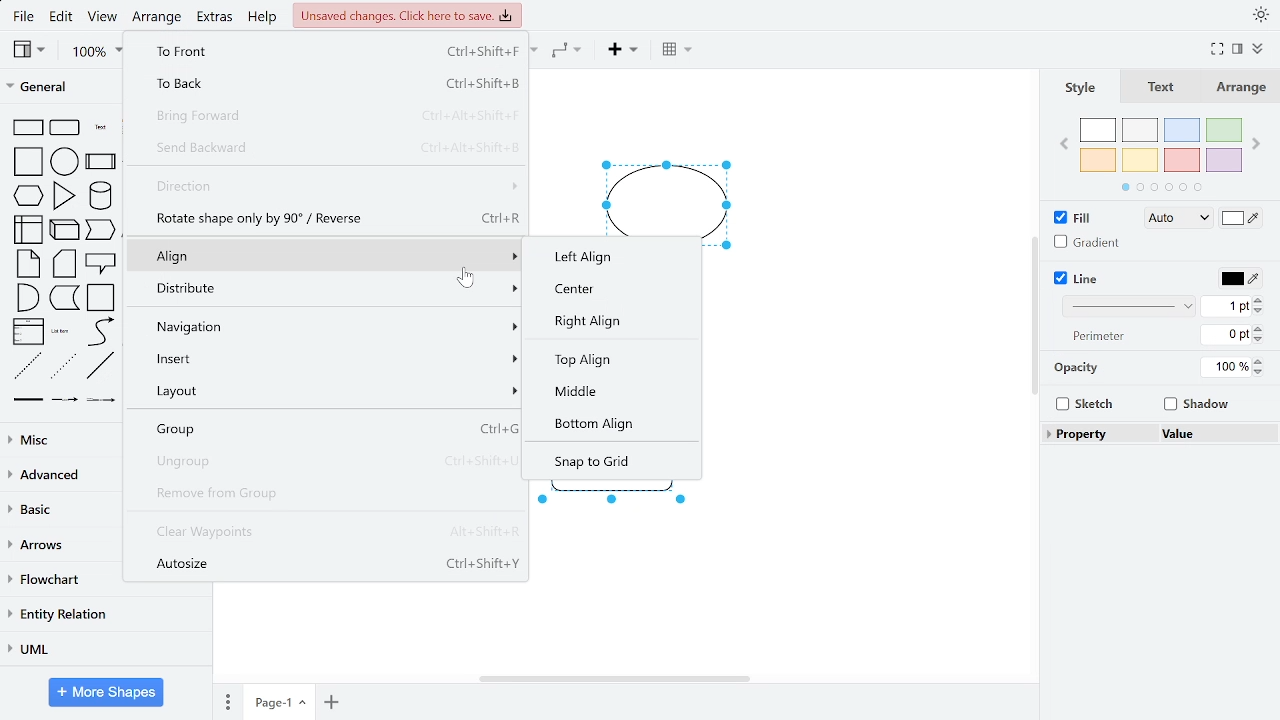  I want to click on 100%, so click(97, 52).